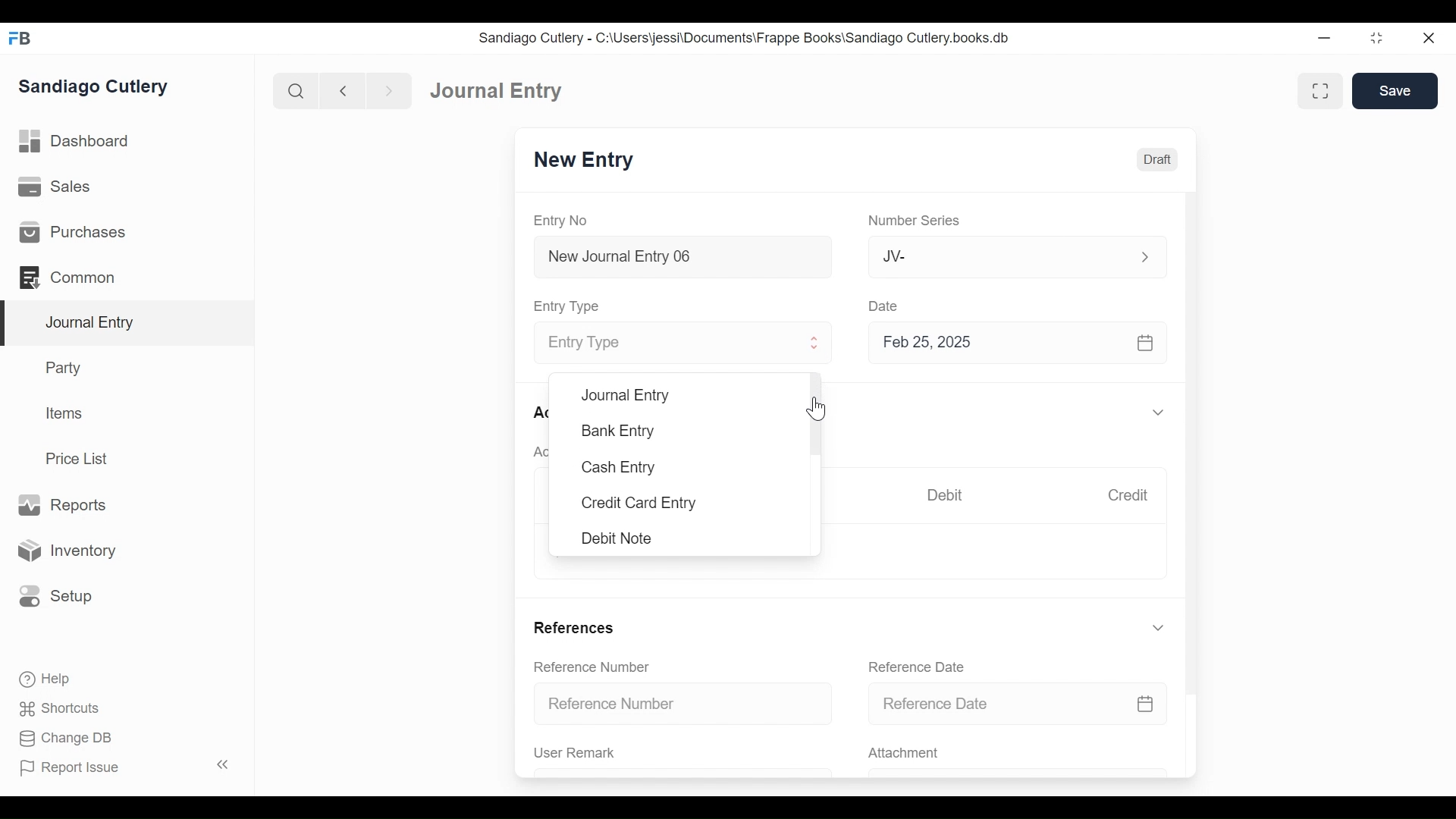 This screenshot has width=1456, height=819. I want to click on Entry Type, so click(670, 344).